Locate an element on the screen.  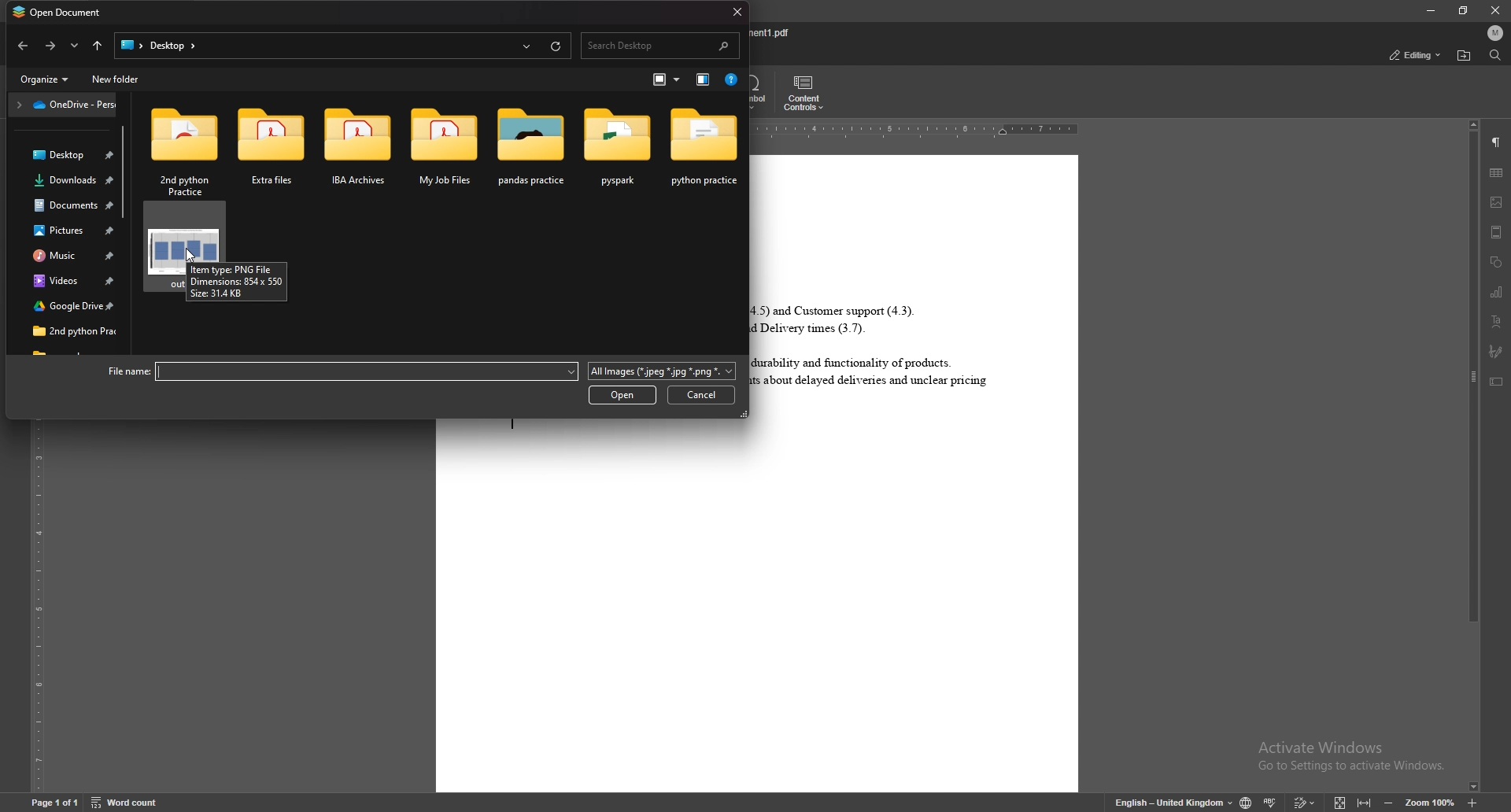
file name: is located at coordinates (337, 370).